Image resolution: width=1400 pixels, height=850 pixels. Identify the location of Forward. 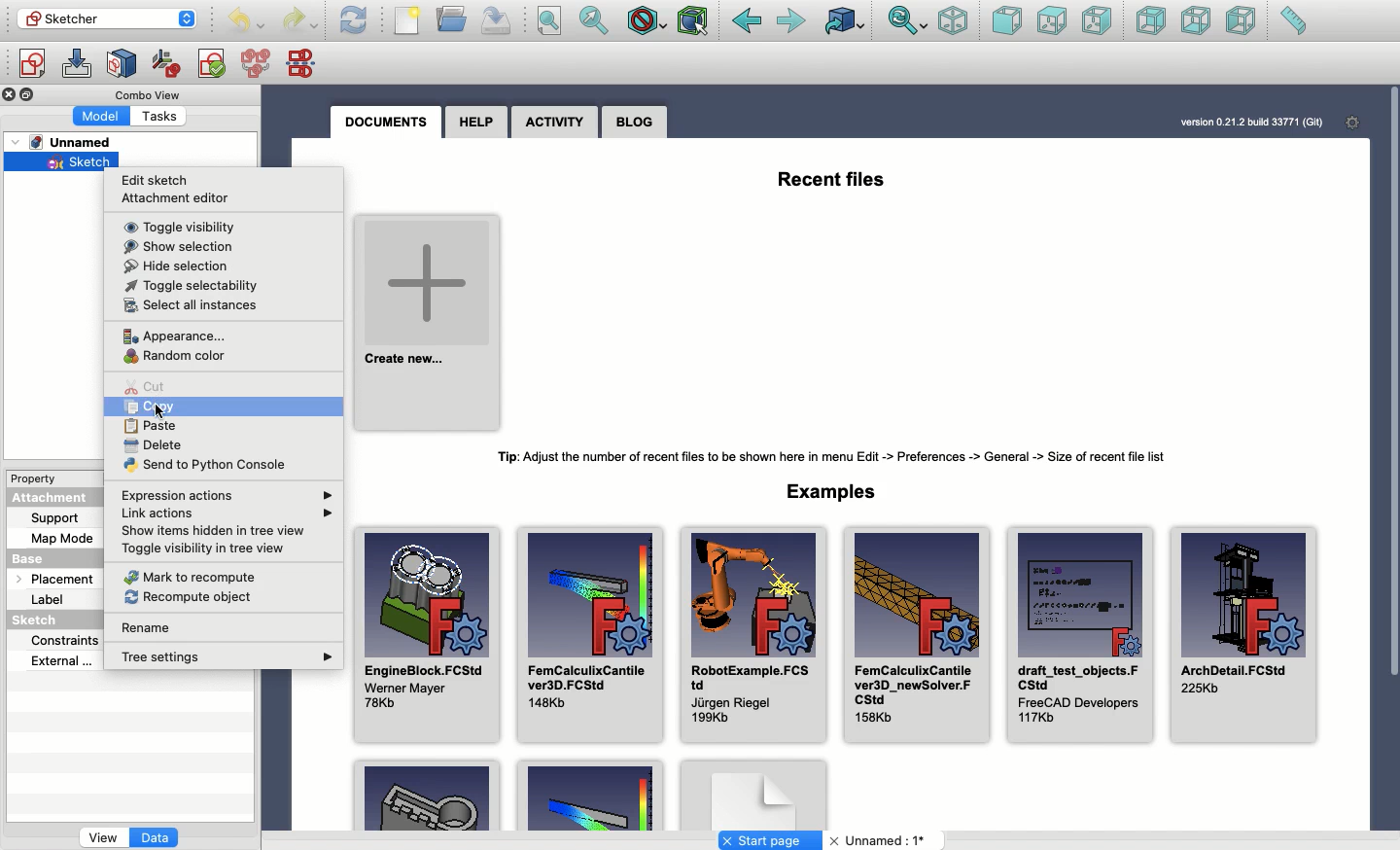
(793, 22).